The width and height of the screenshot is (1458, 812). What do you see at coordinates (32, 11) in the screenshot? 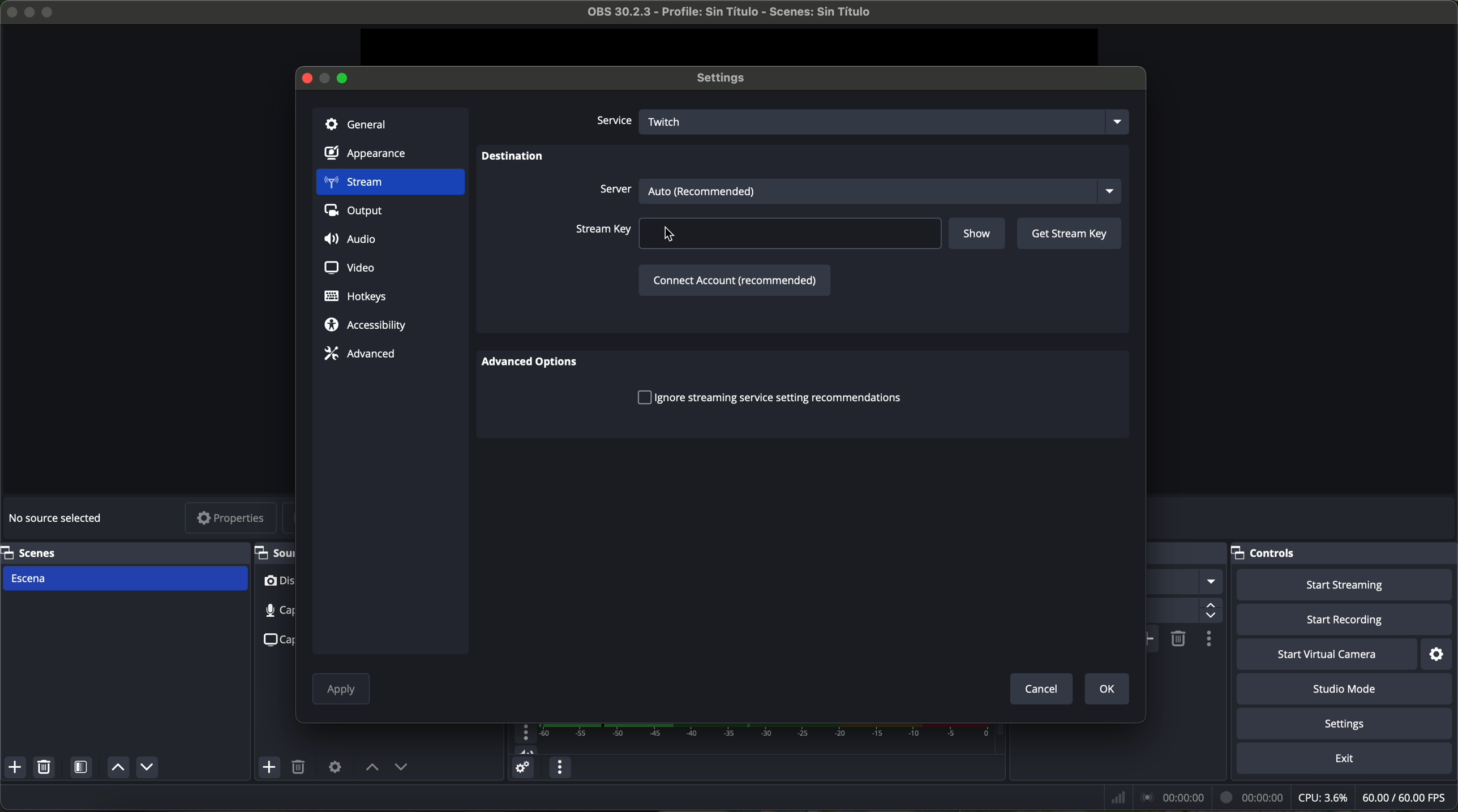
I see `minimize OBS Studio` at bounding box center [32, 11].